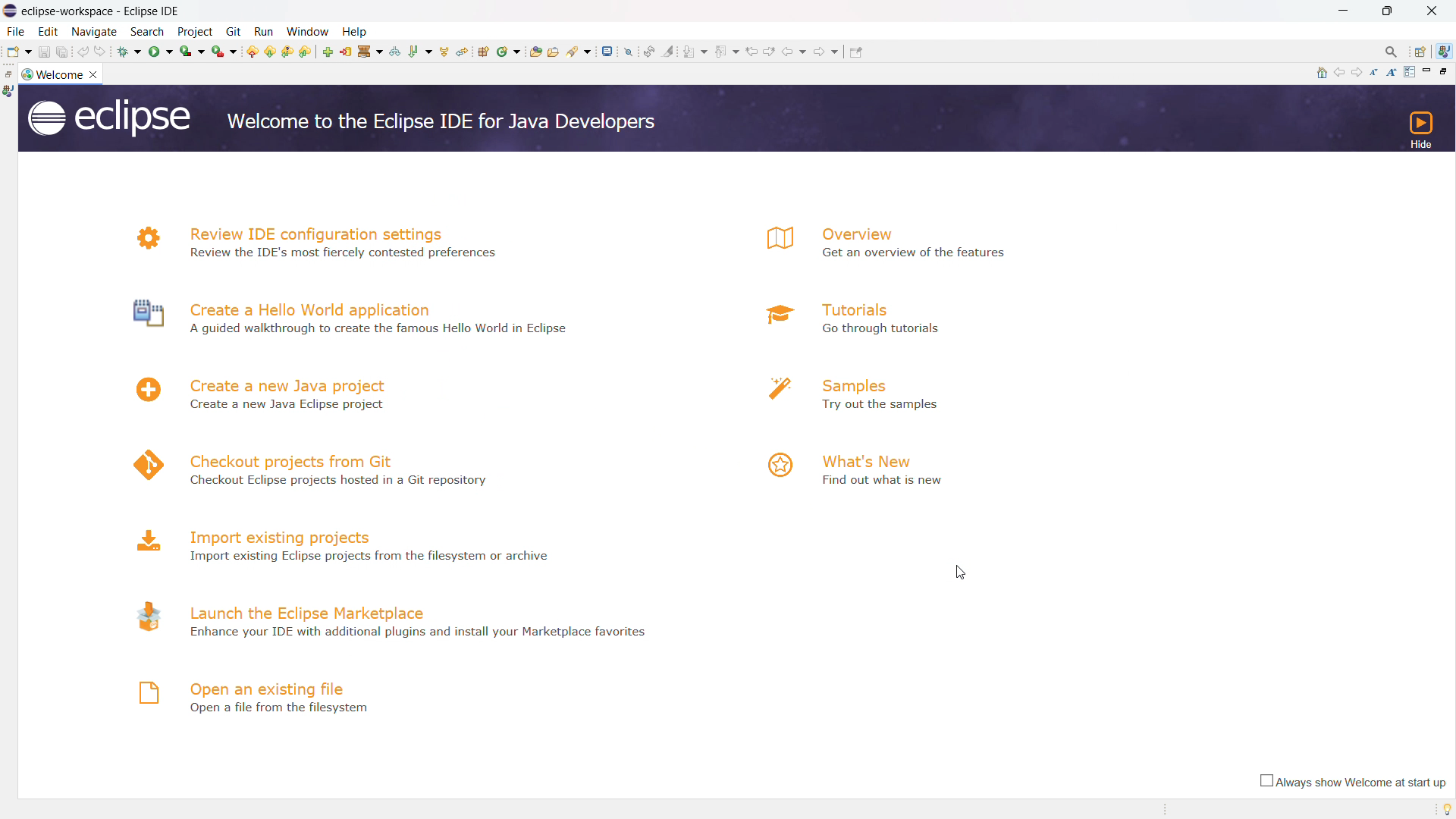 Image resolution: width=1456 pixels, height=819 pixels. Describe the element at coordinates (111, 10) in the screenshot. I see `Title` at that location.